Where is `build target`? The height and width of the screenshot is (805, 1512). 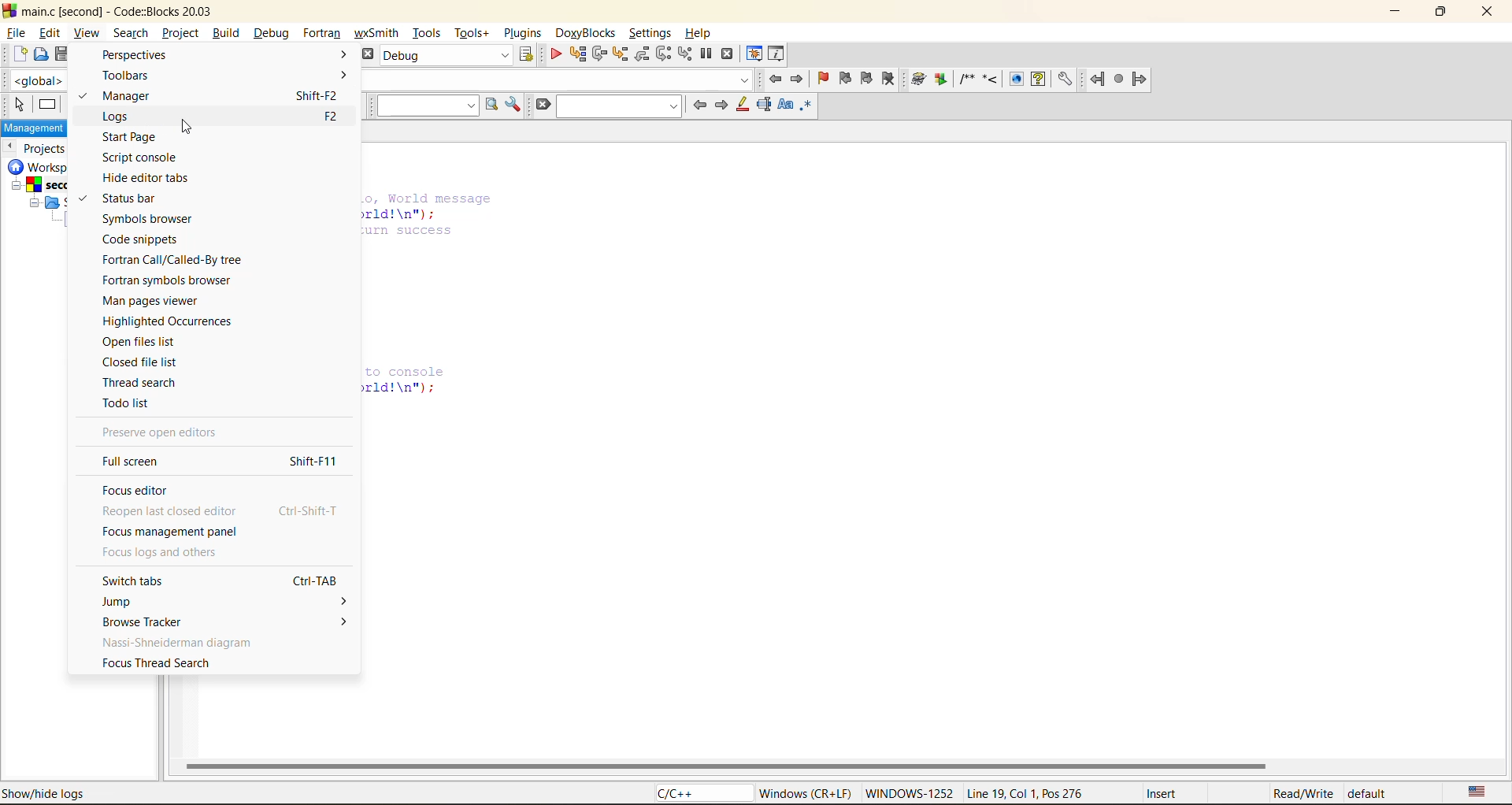 build target is located at coordinates (448, 55).